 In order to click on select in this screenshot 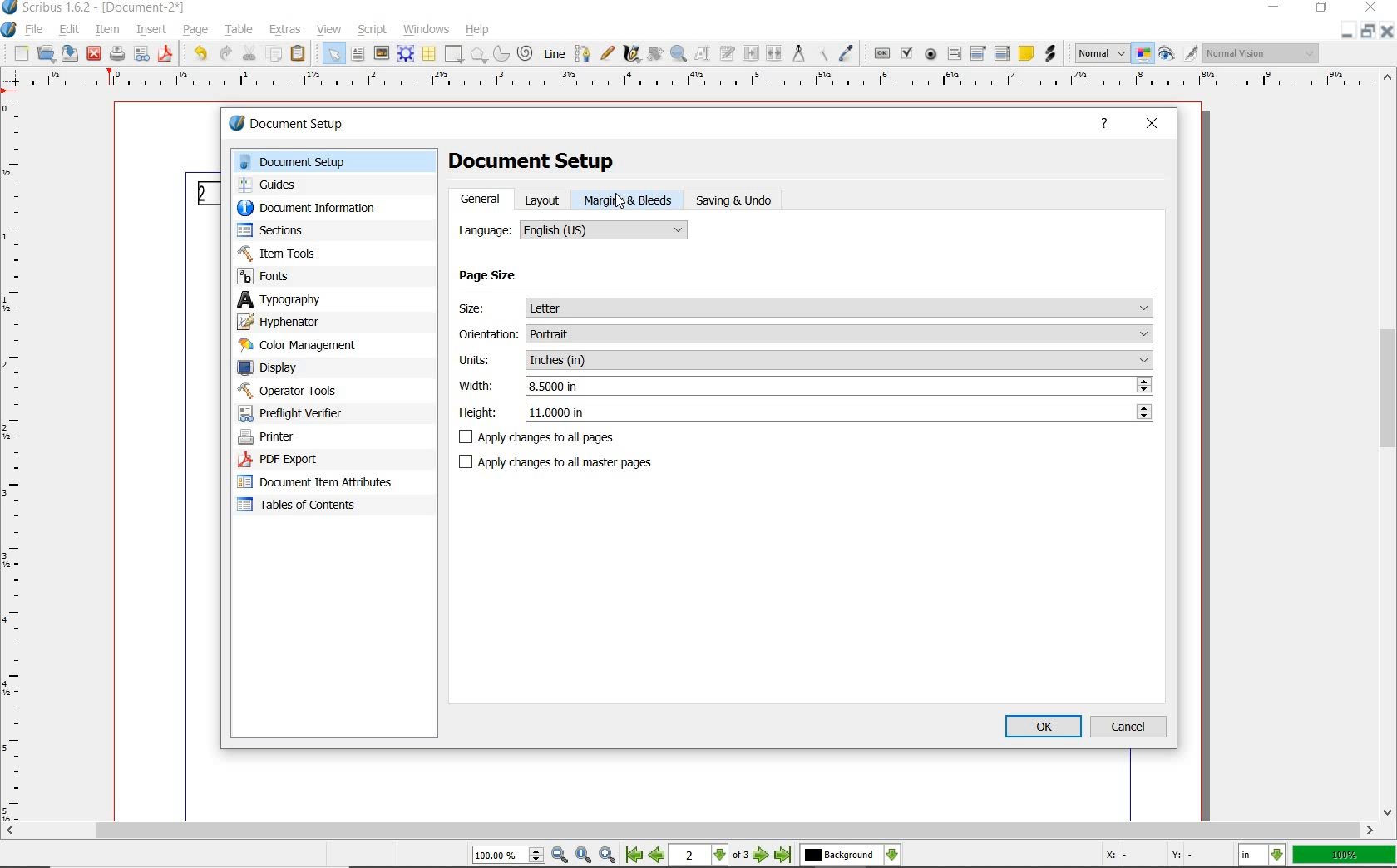, I will do `click(334, 57)`.